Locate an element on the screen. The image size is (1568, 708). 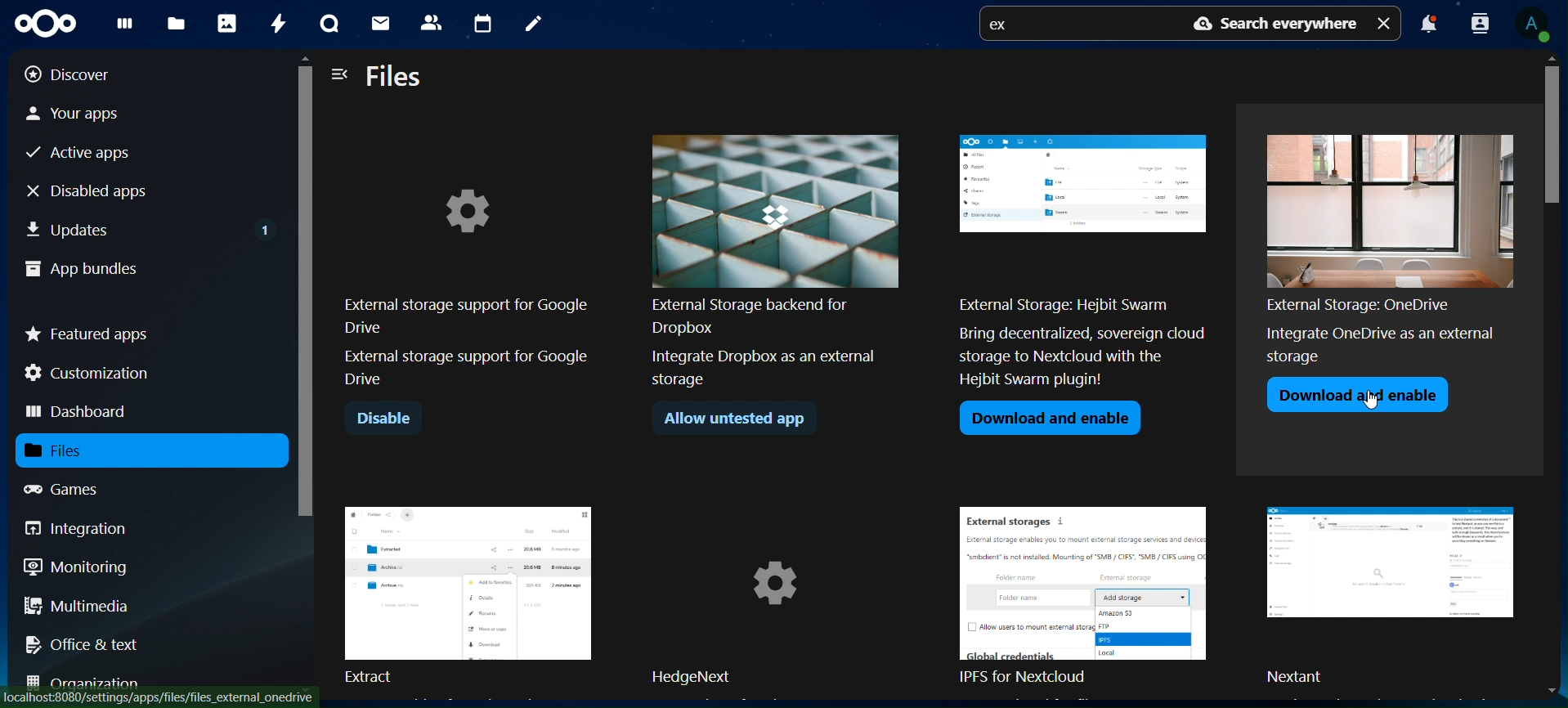
active apps is located at coordinates (85, 154).